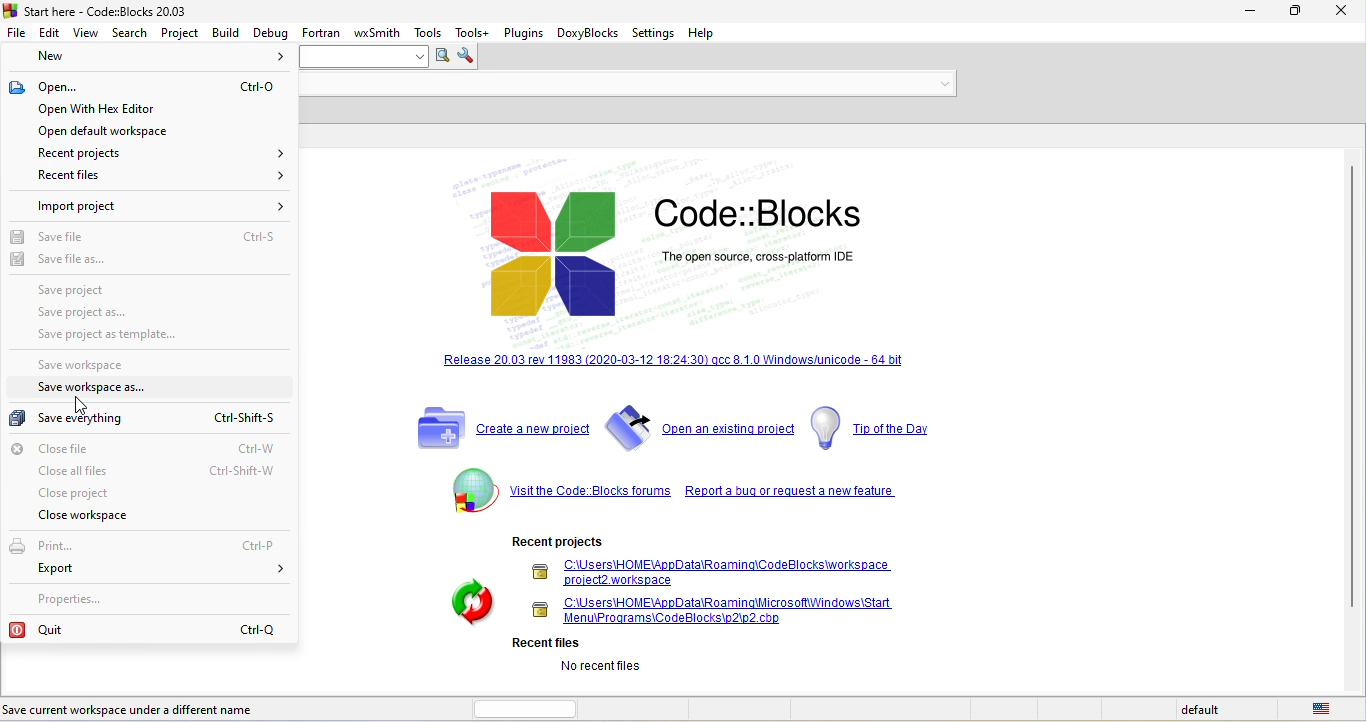 This screenshot has width=1366, height=722. Describe the element at coordinates (98, 10) in the screenshot. I see `Start here - Code::Blocks 20.03` at that location.